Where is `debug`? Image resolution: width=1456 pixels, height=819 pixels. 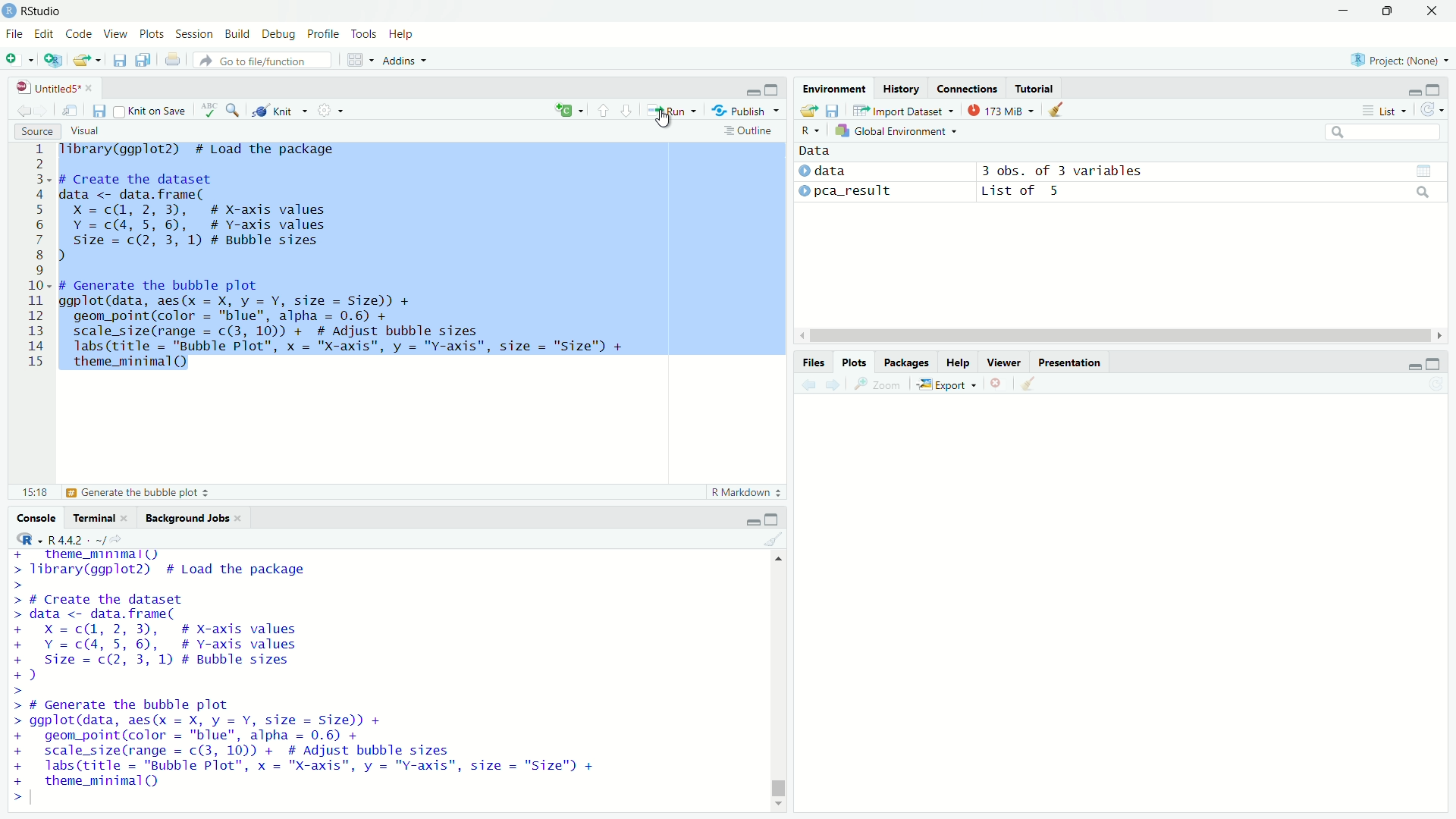 debug is located at coordinates (280, 35).